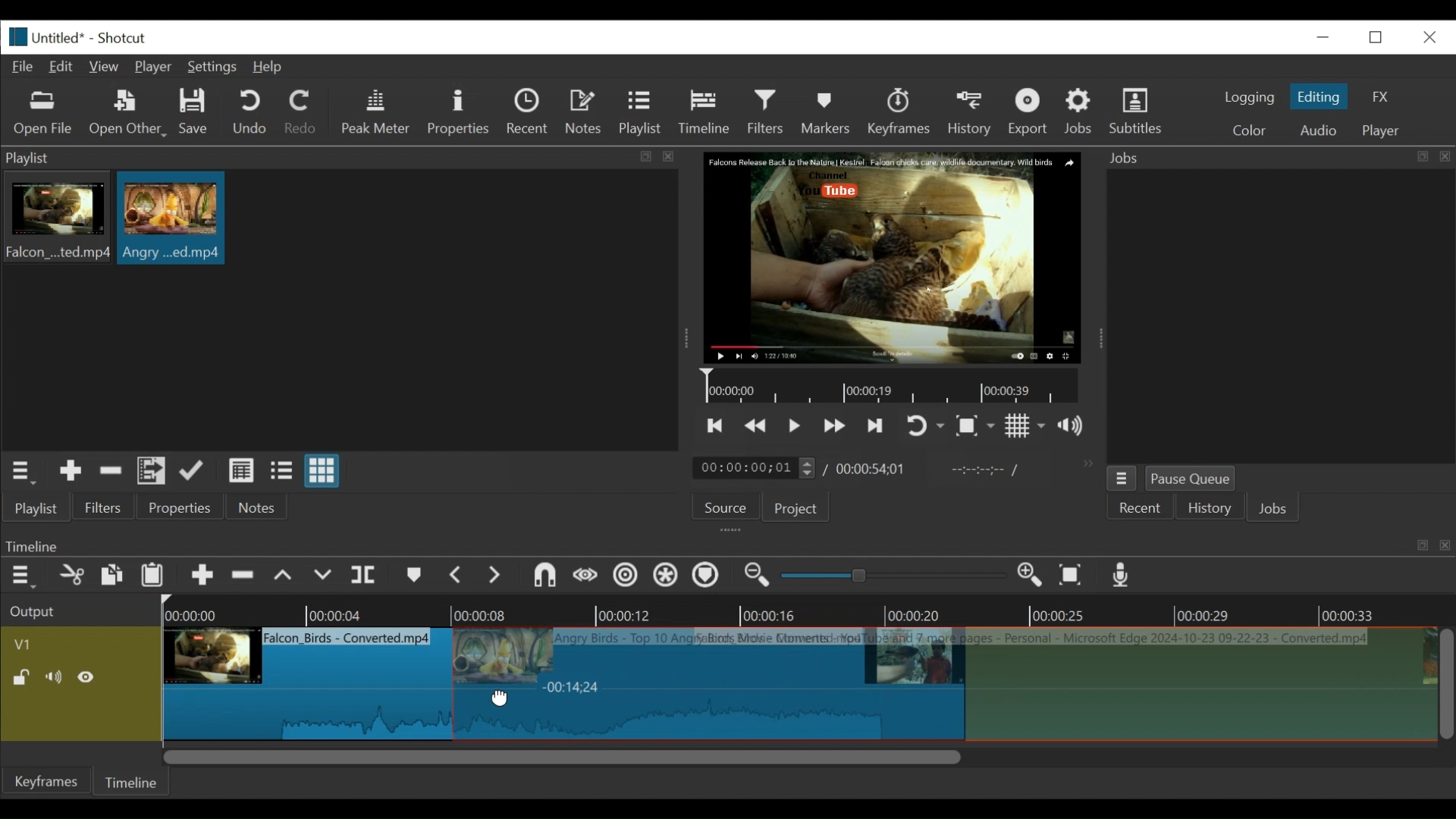 This screenshot has height=819, width=1456. I want to click on Pause Queue, so click(1191, 482).